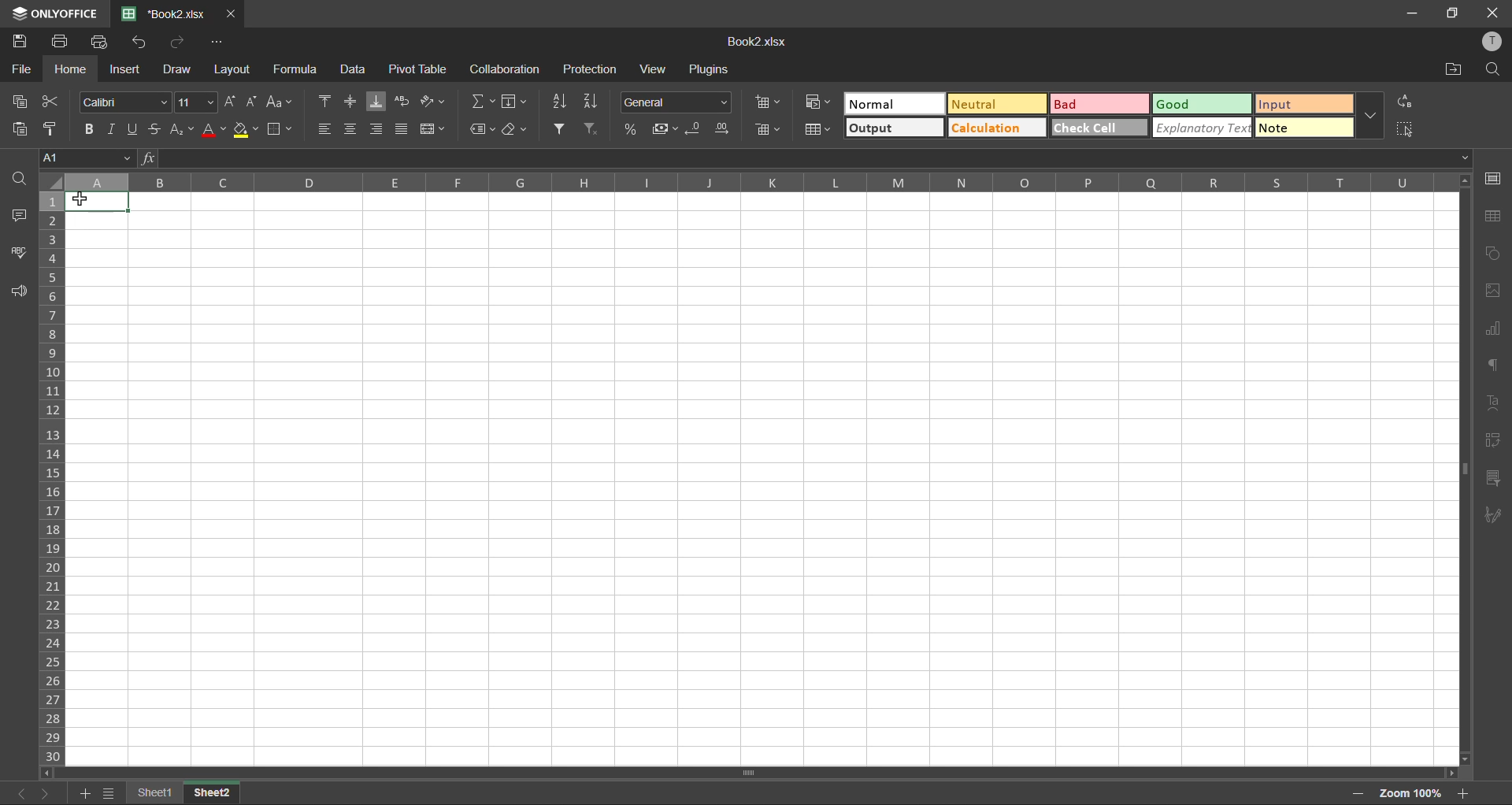 The height and width of the screenshot is (805, 1512). Describe the element at coordinates (353, 102) in the screenshot. I see `align middle` at that location.